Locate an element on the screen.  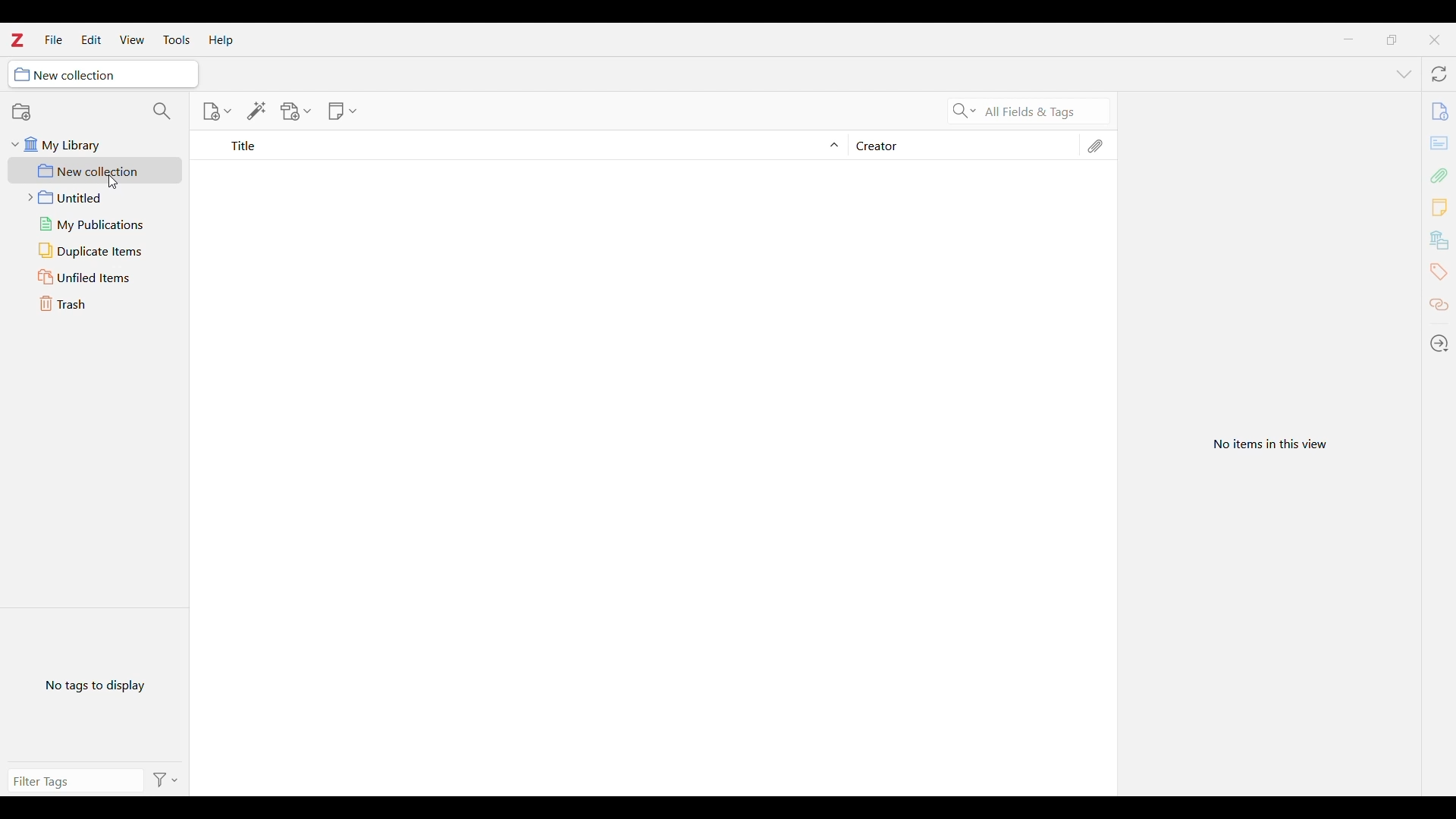
Locate is located at coordinates (1439, 343).